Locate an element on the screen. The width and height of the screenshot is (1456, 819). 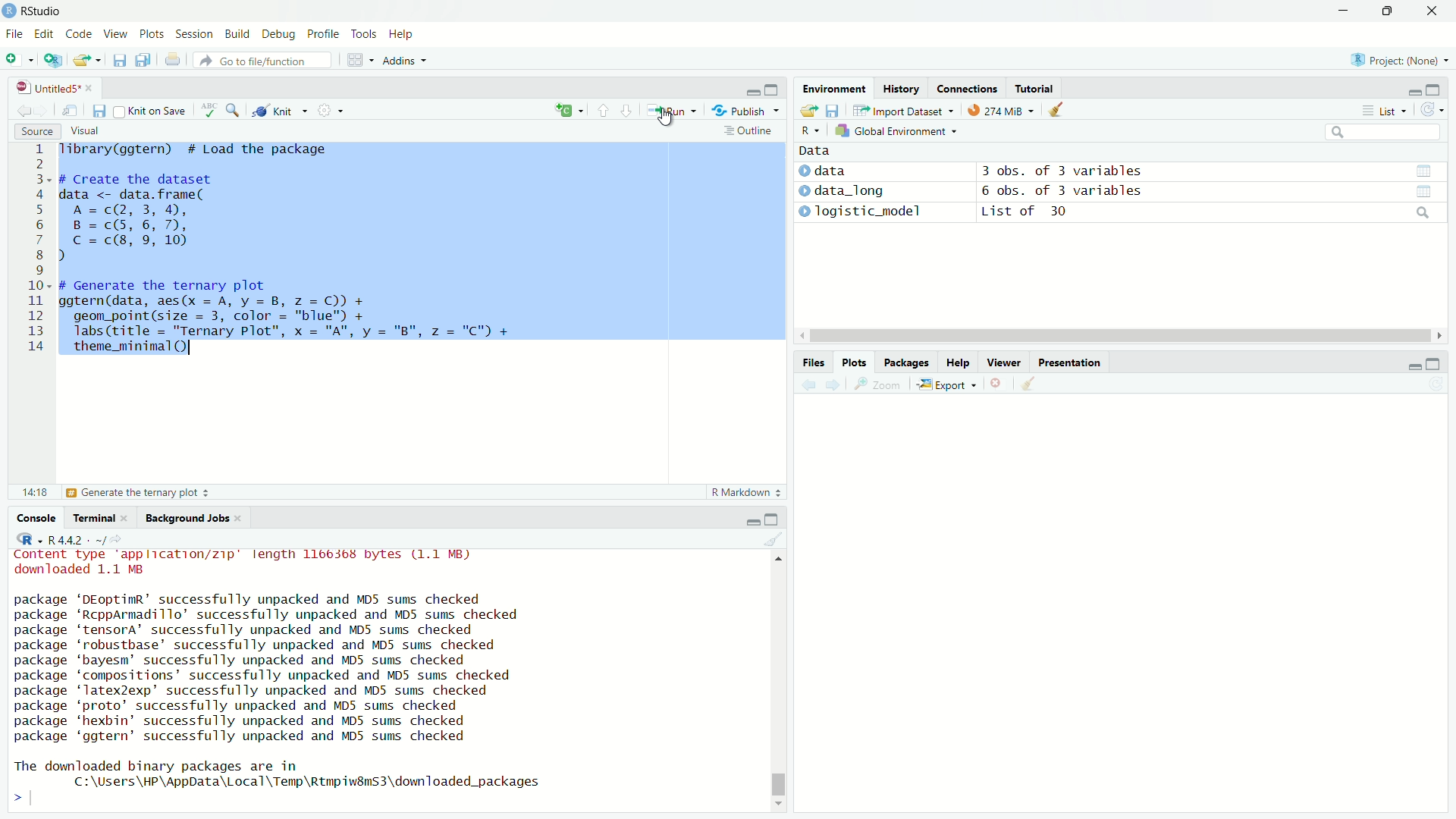
maximise is located at coordinates (1432, 365).